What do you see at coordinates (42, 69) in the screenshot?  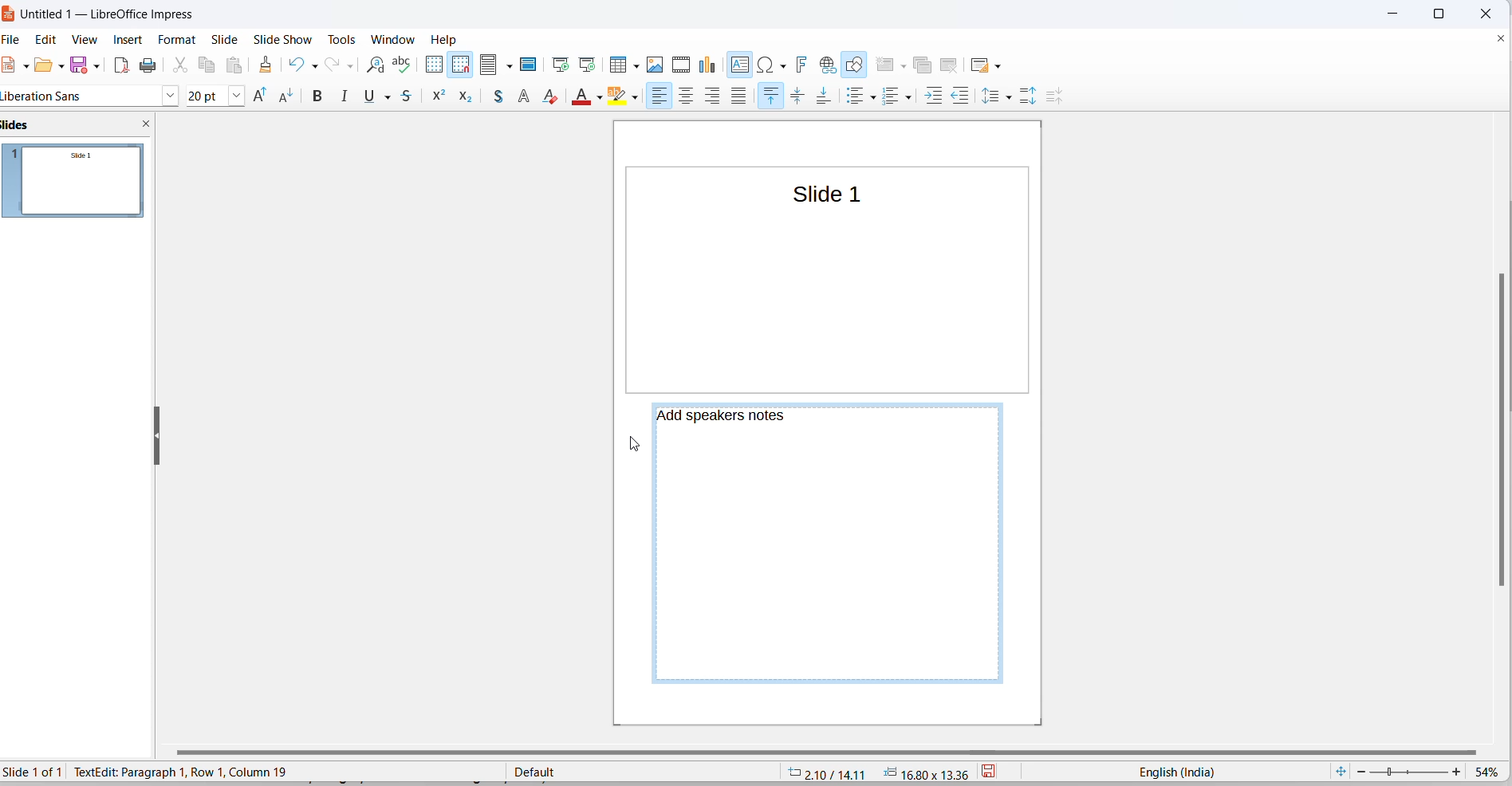 I see `open` at bounding box center [42, 69].